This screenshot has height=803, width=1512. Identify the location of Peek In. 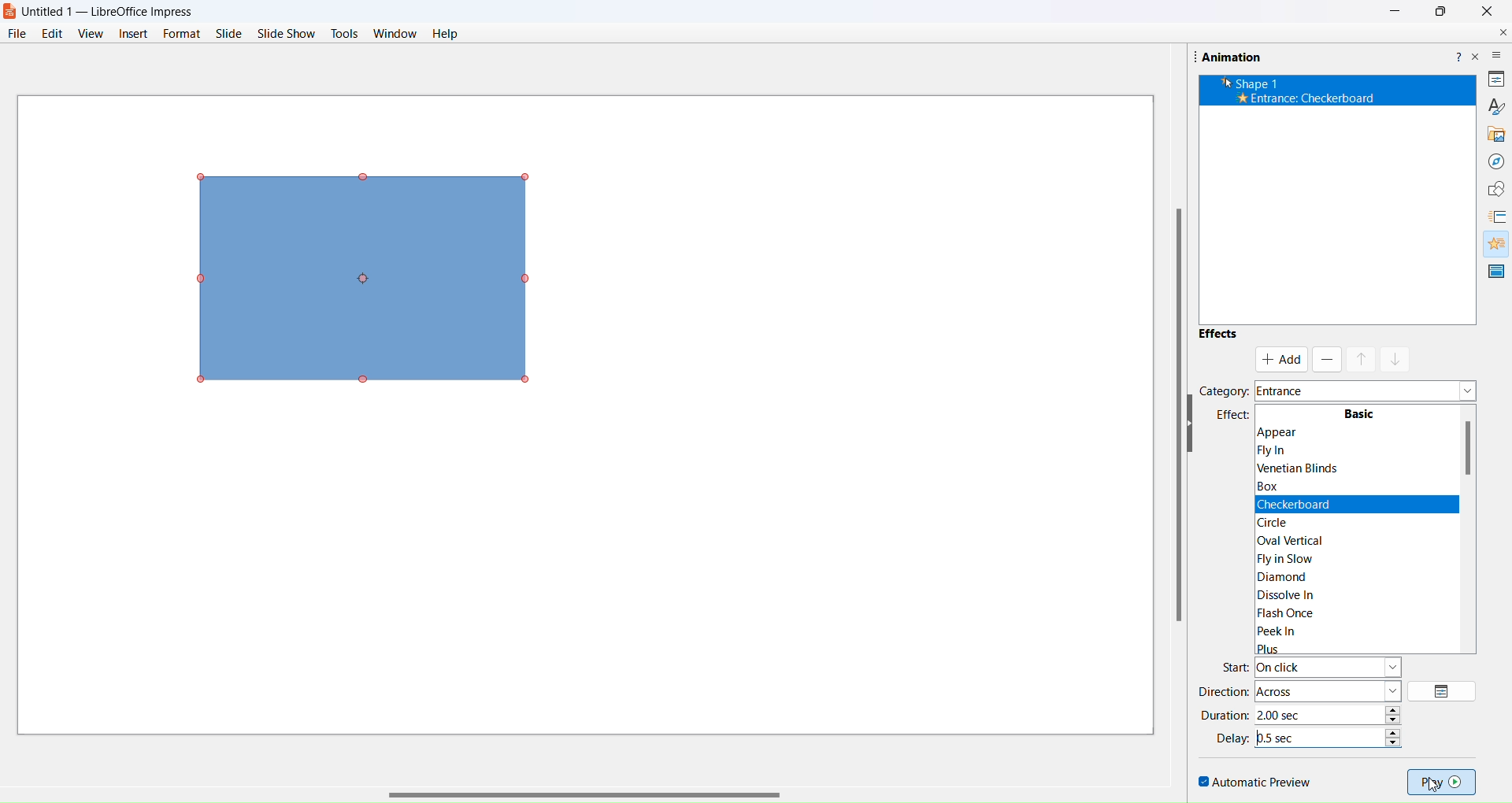
(1313, 631).